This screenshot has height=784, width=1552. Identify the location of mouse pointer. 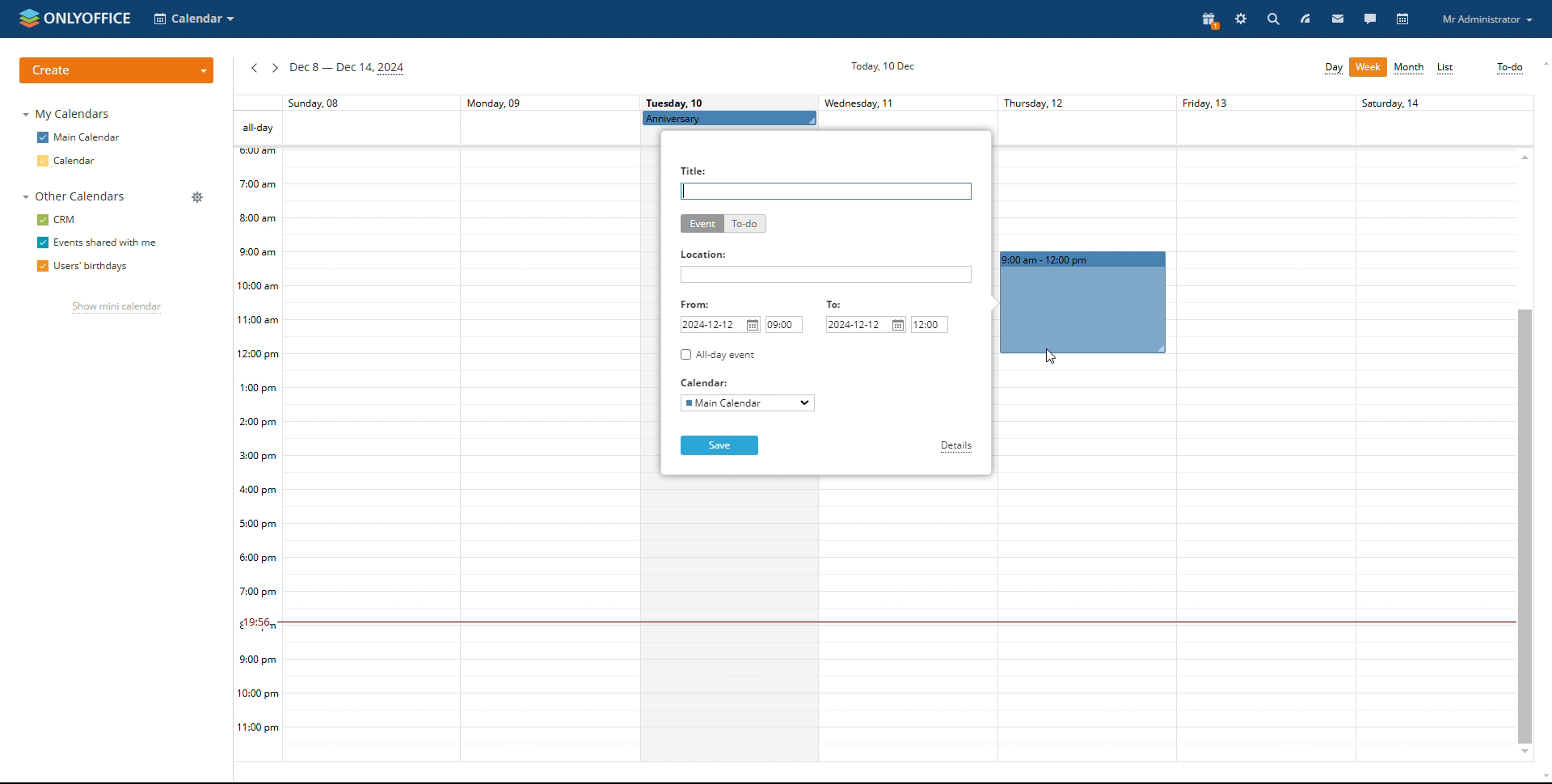
(1048, 355).